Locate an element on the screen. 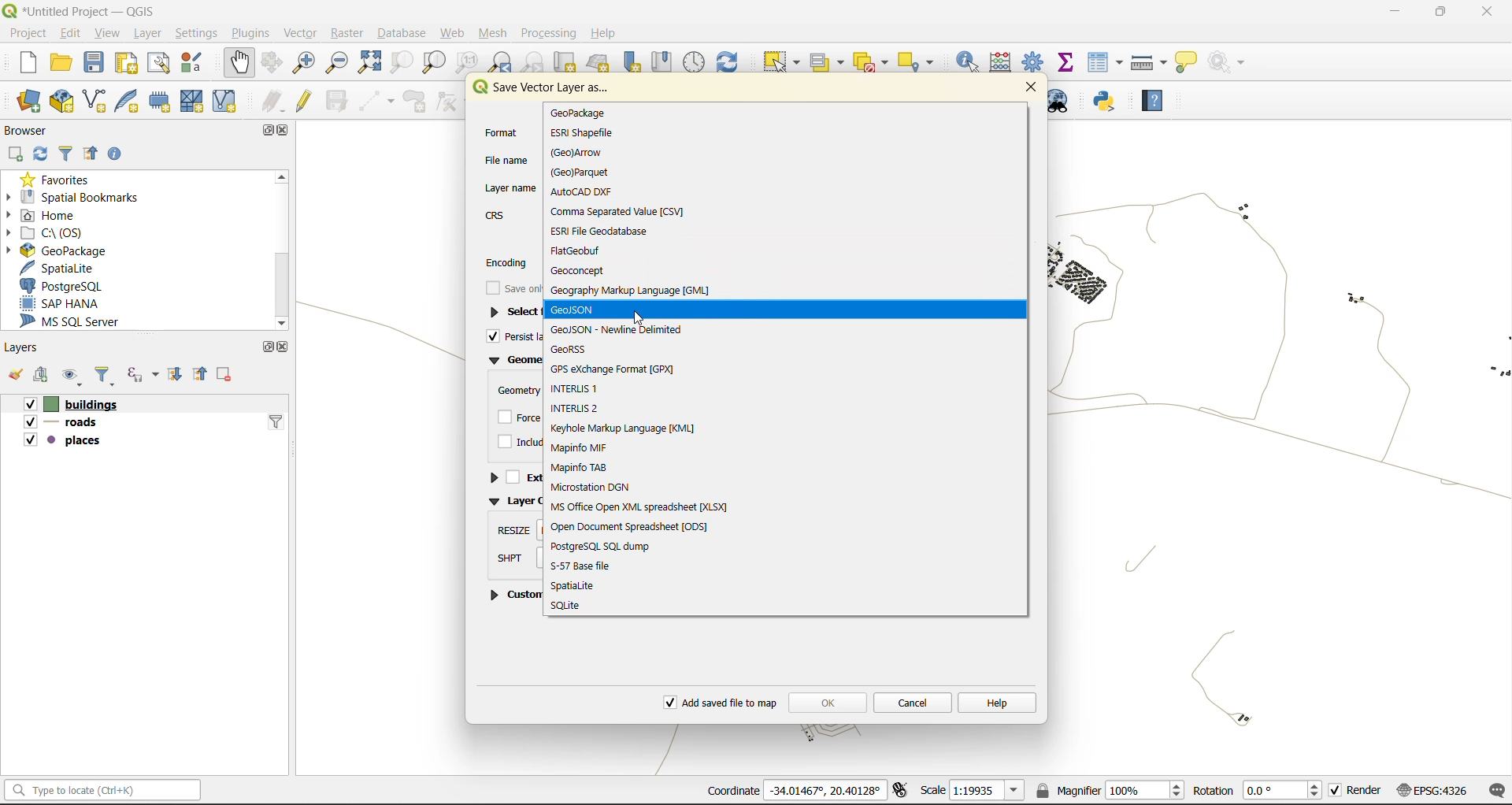 This screenshot has width=1512, height=805. flangeobuf is located at coordinates (581, 250).